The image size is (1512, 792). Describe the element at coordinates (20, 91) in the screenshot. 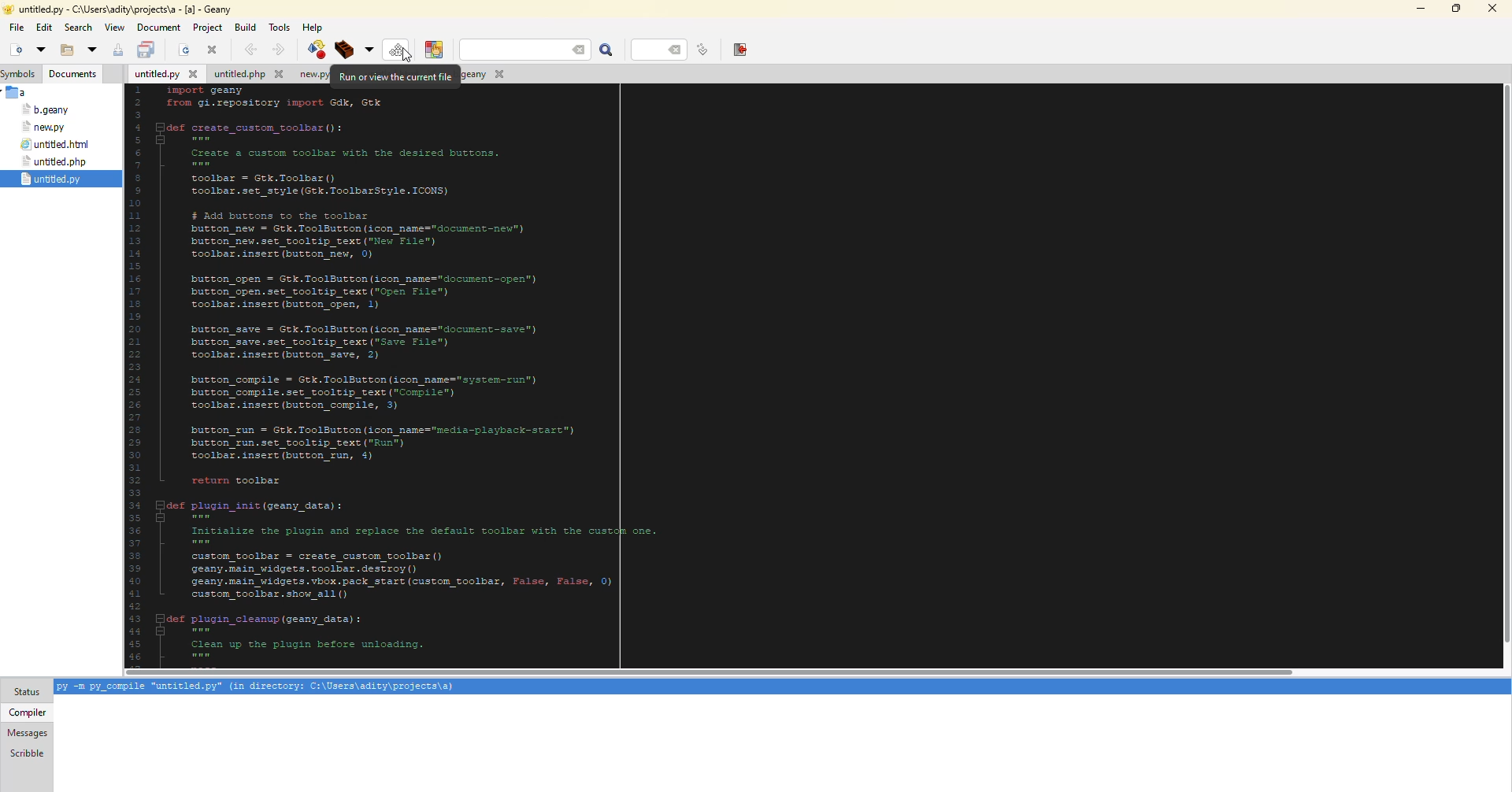

I see `a` at that location.